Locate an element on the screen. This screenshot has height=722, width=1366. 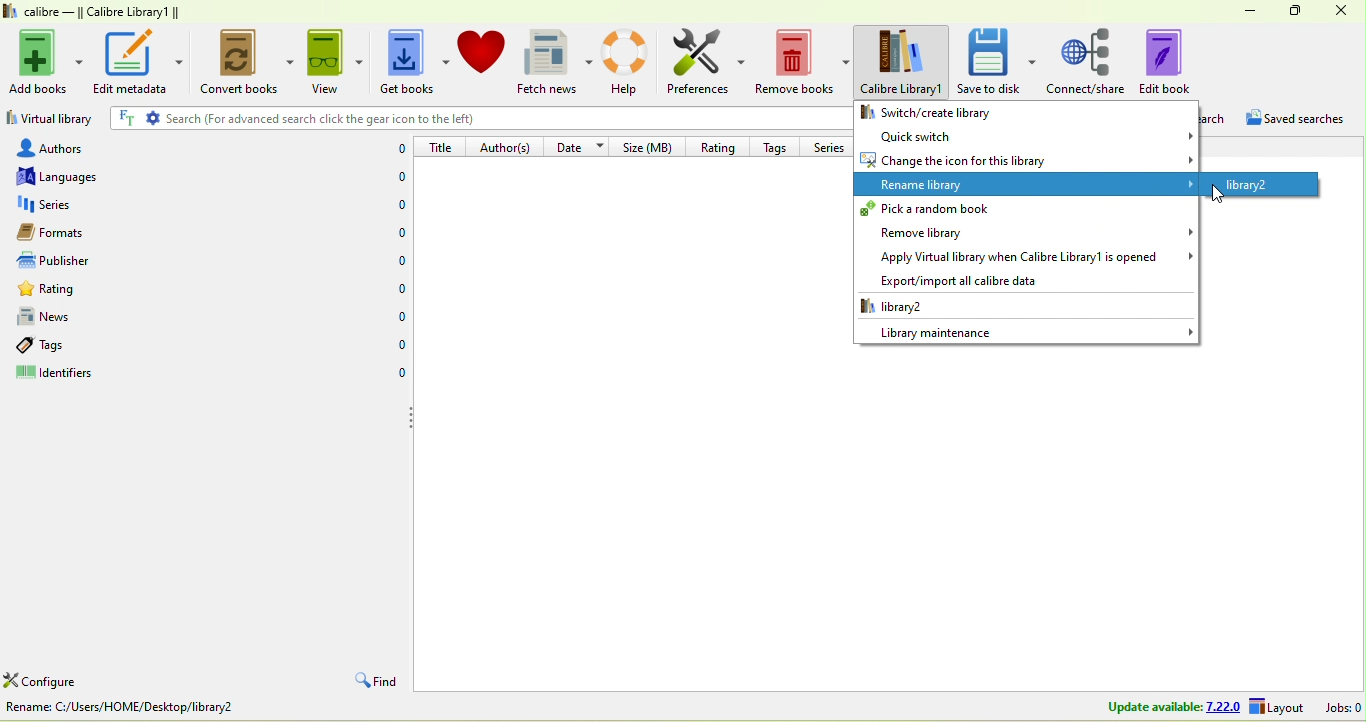
jobs 0 is located at coordinates (1343, 707).